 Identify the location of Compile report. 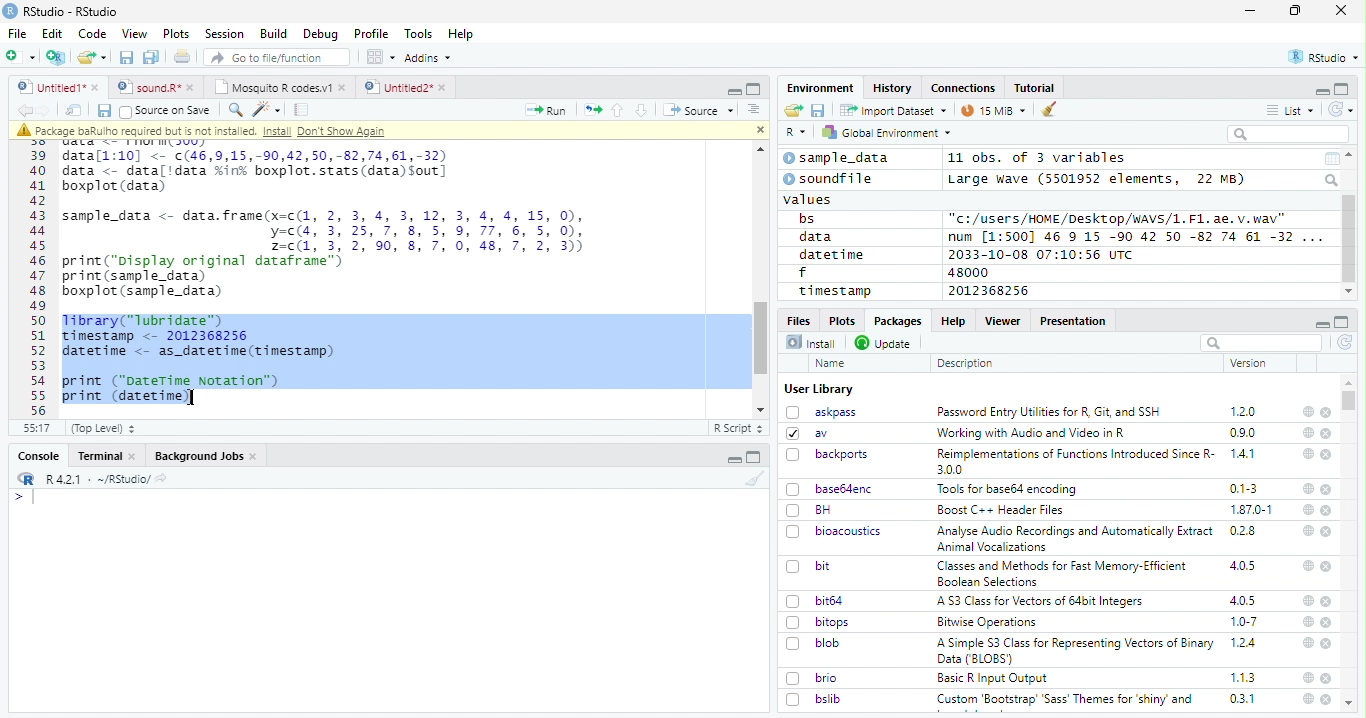
(302, 110).